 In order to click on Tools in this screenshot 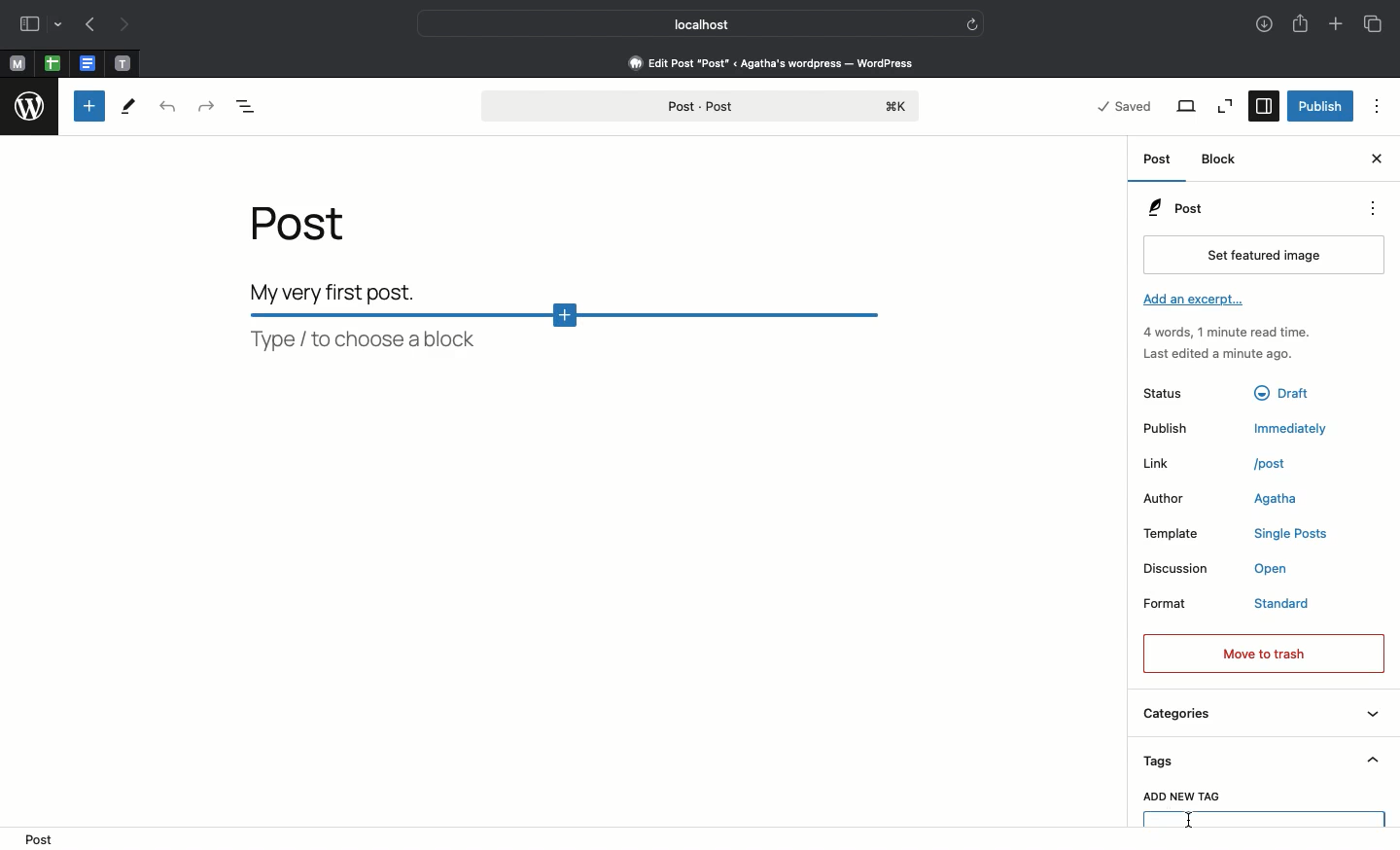, I will do `click(131, 107)`.